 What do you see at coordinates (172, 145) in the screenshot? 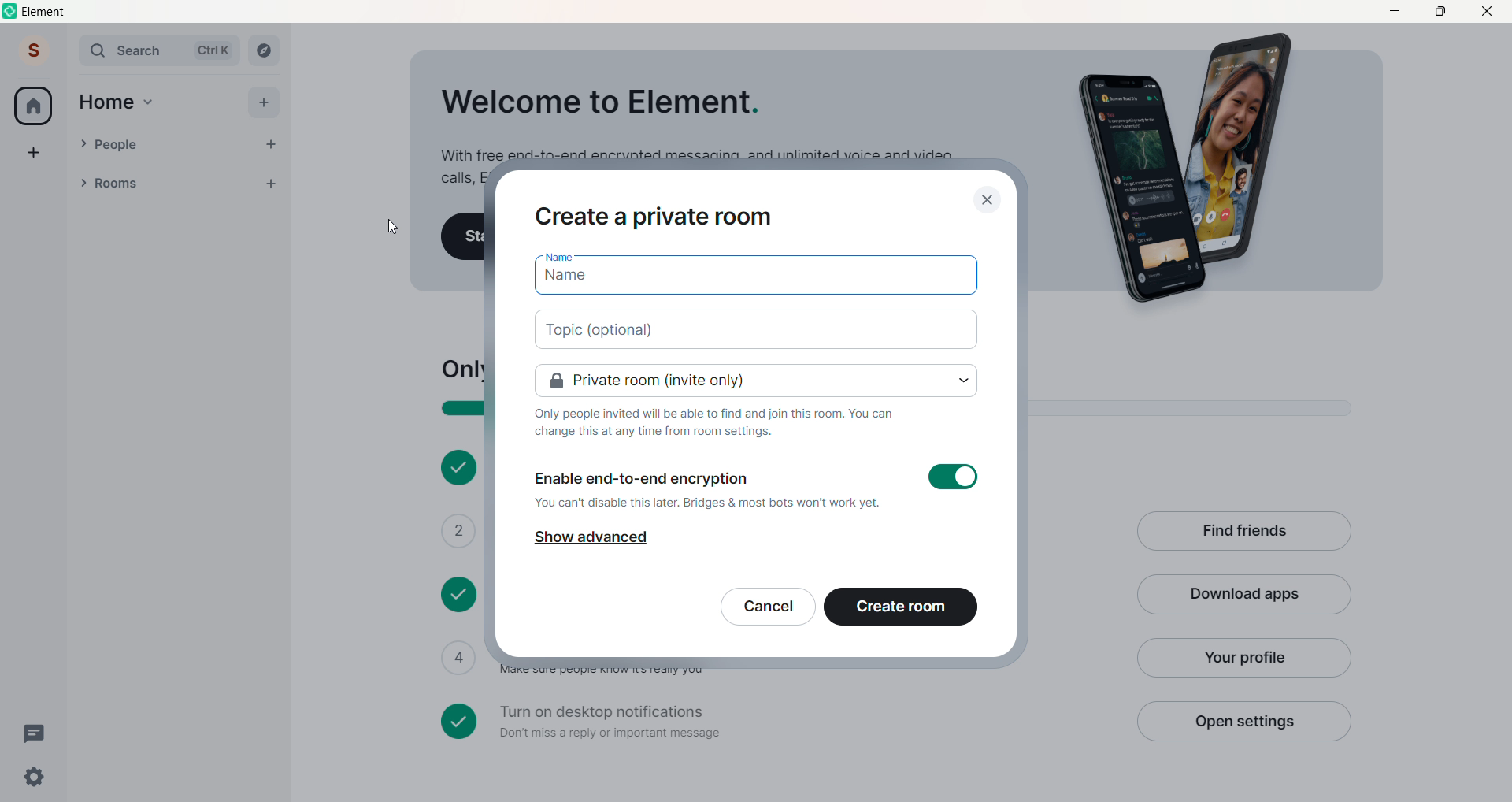
I see `People` at bounding box center [172, 145].